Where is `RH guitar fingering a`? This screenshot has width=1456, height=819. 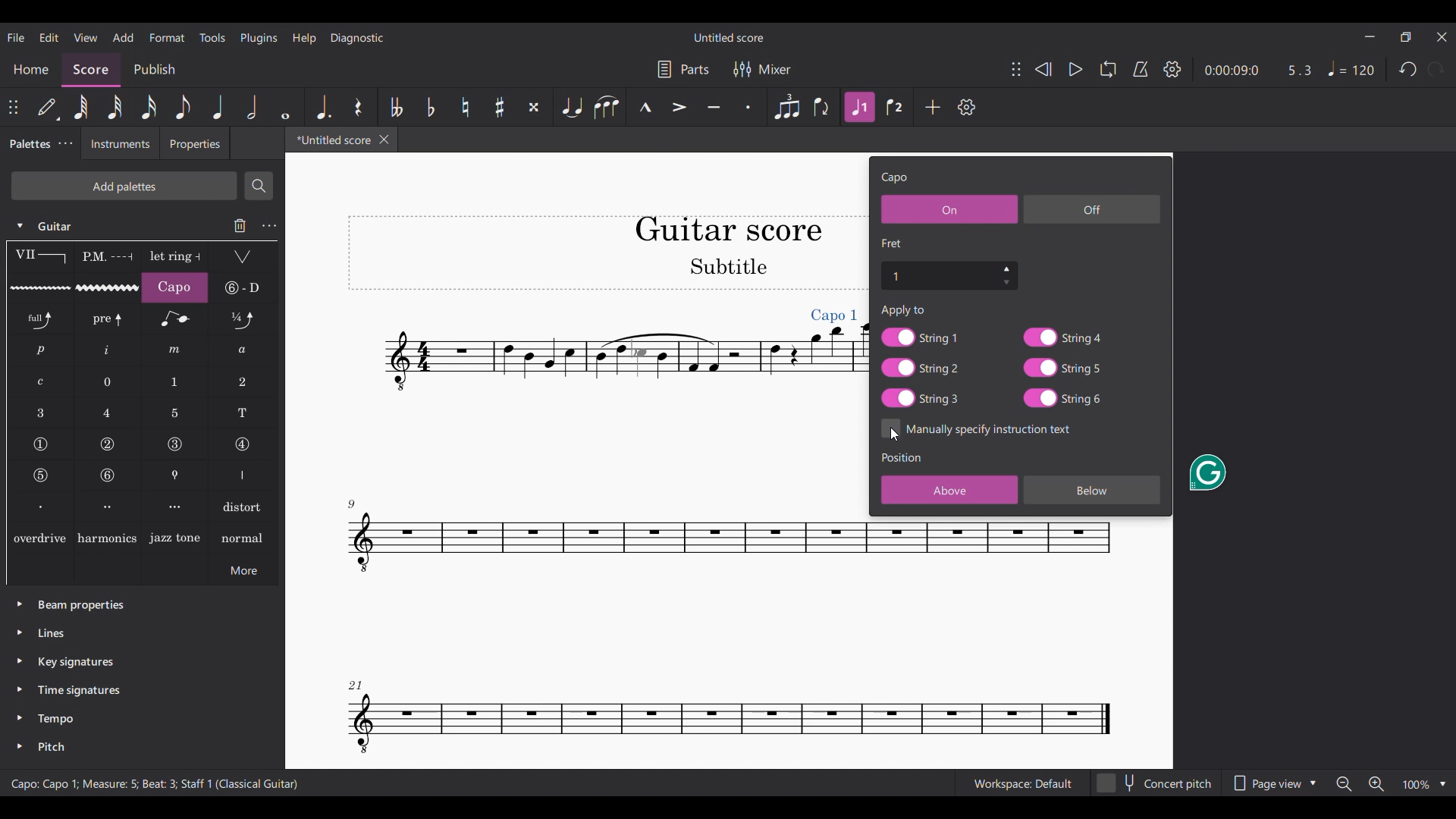
RH guitar fingering a is located at coordinates (243, 350).